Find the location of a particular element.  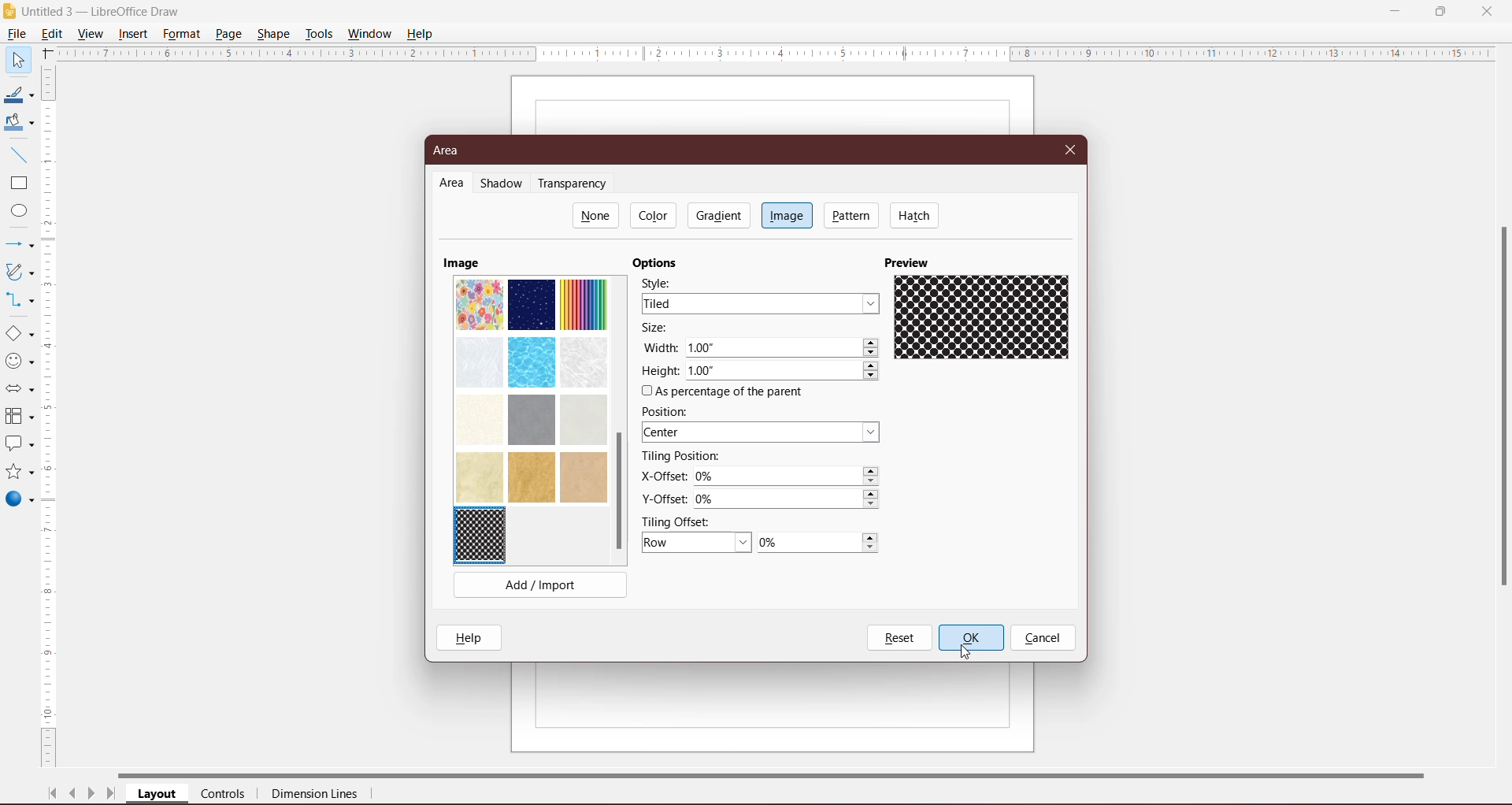

Image is located at coordinates (787, 214).